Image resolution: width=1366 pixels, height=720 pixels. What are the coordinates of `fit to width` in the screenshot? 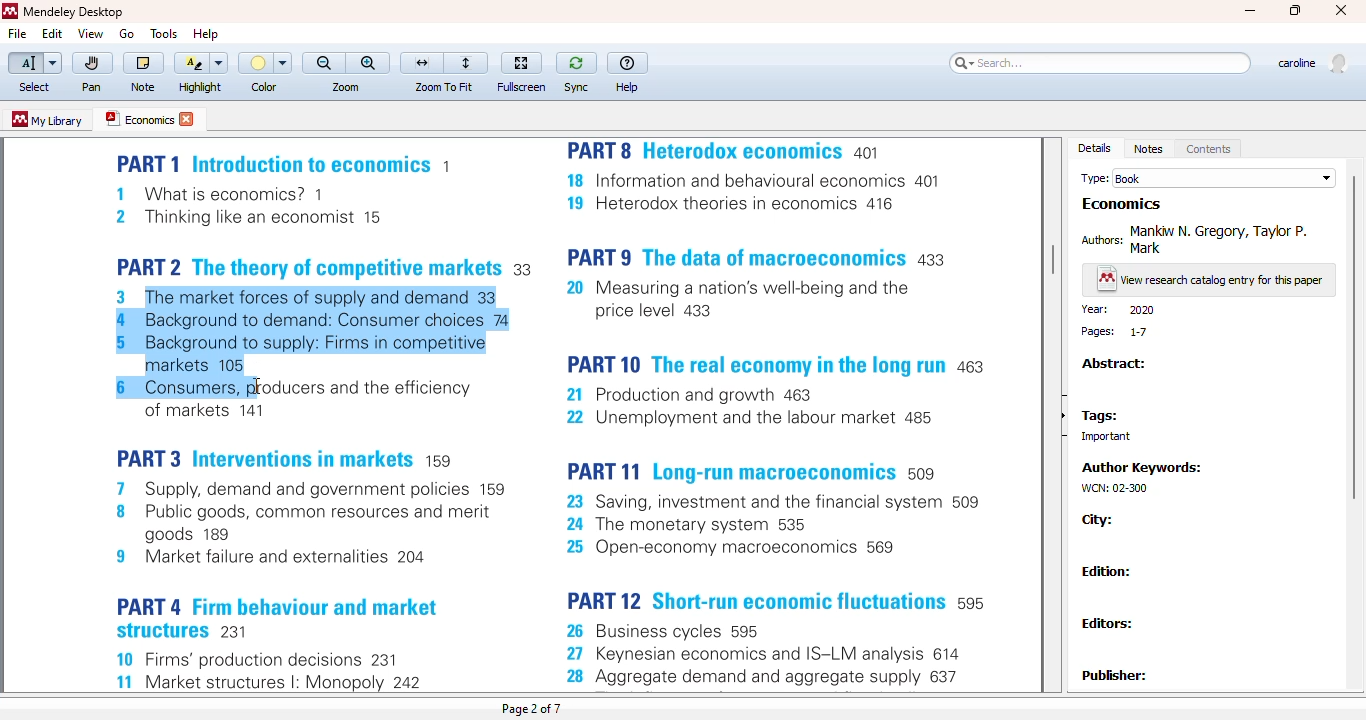 It's located at (422, 63).